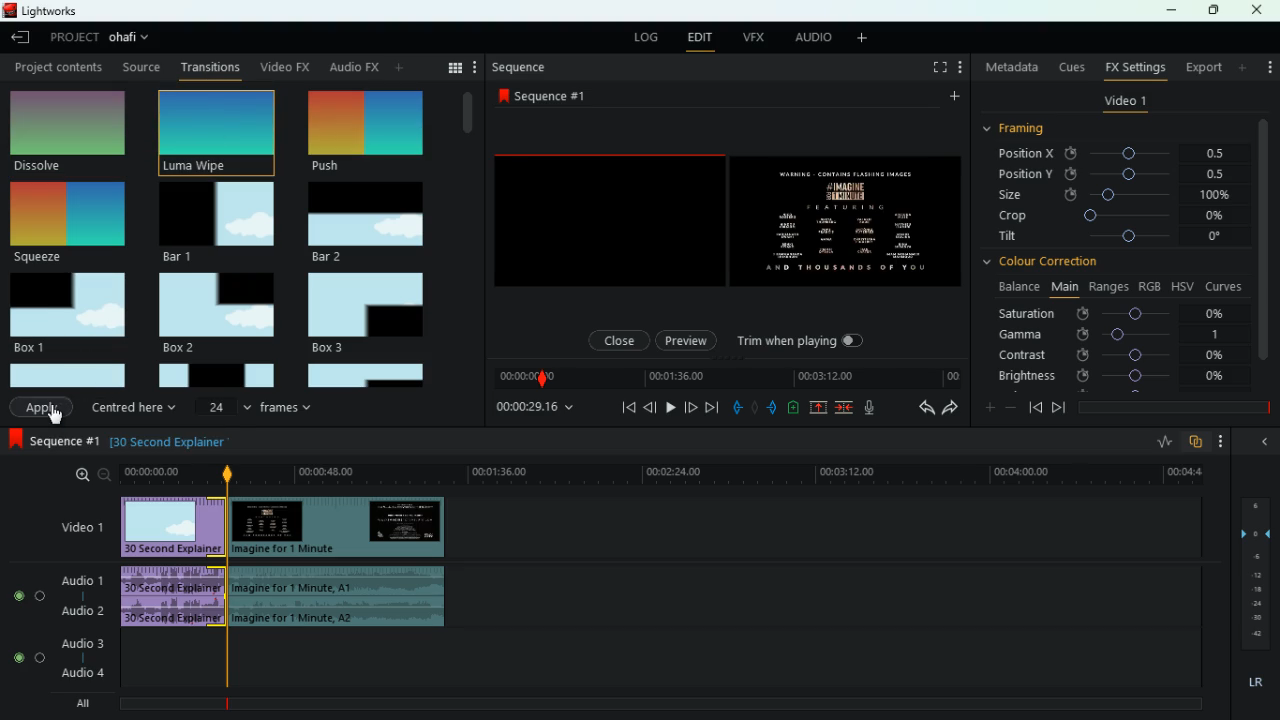 This screenshot has width=1280, height=720. I want to click on framing, so click(1026, 129).